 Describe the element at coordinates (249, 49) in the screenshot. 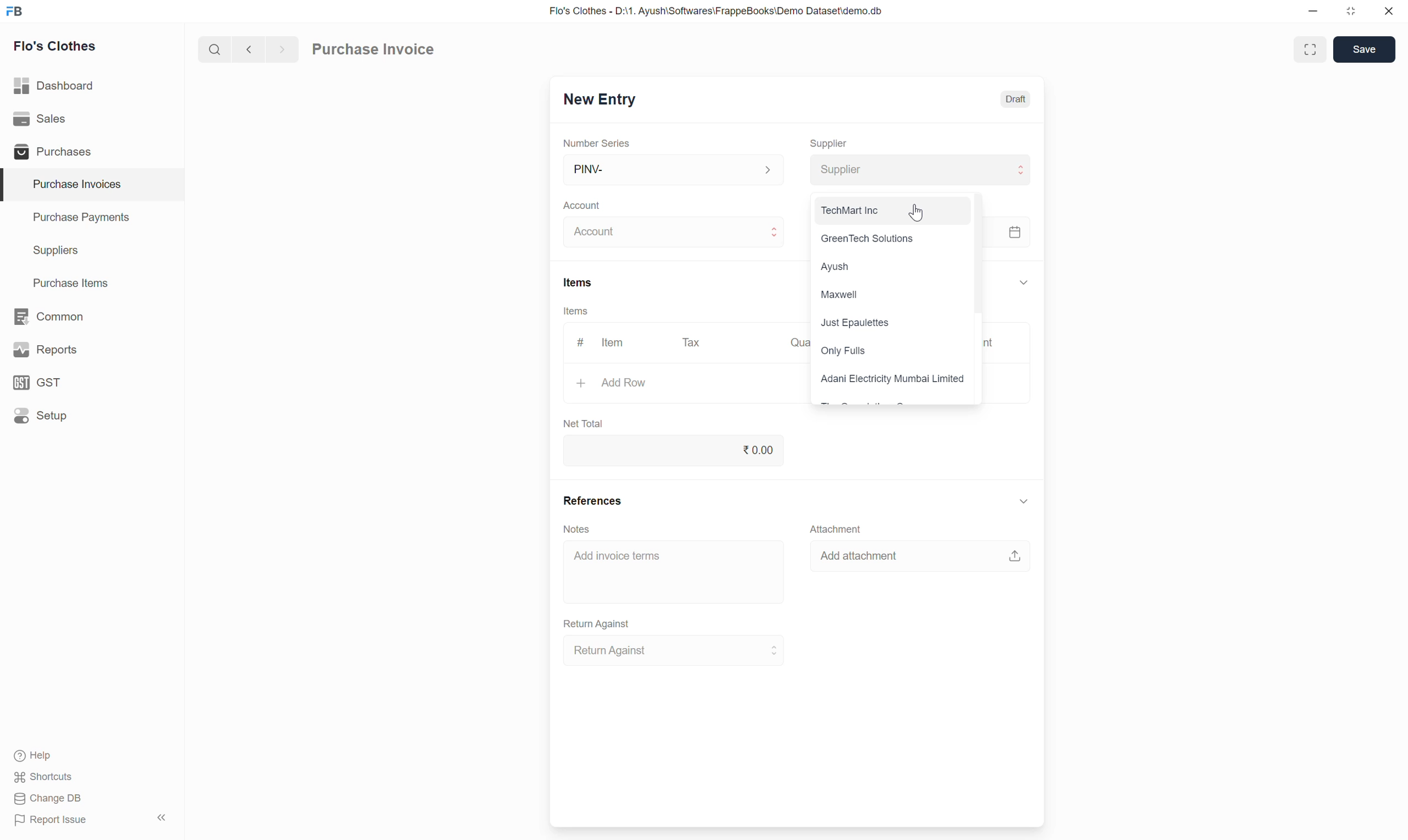

I see `Previous` at that location.